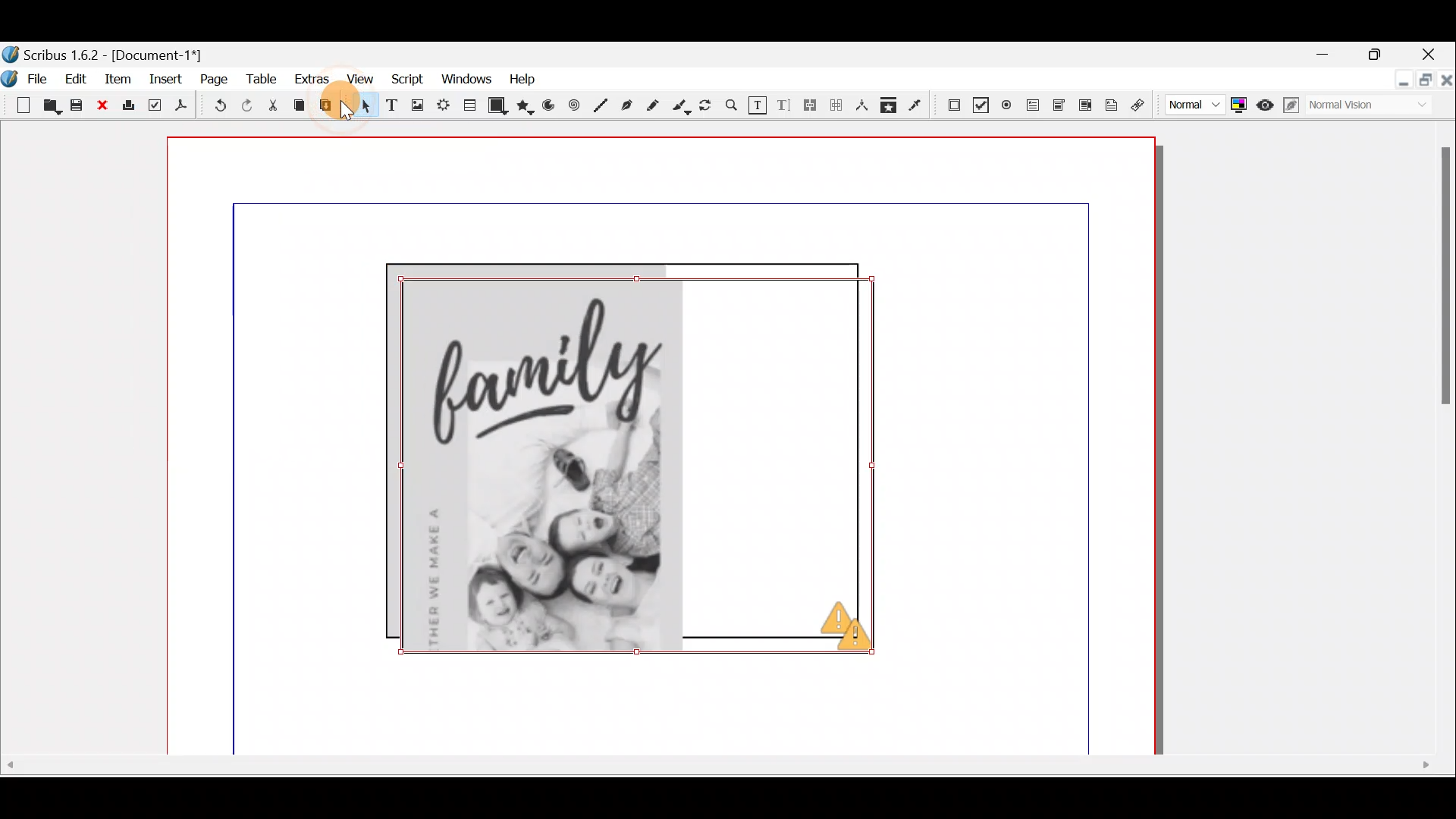 Image resolution: width=1456 pixels, height=819 pixels. I want to click on Preflight verifier, so click(154, 105).